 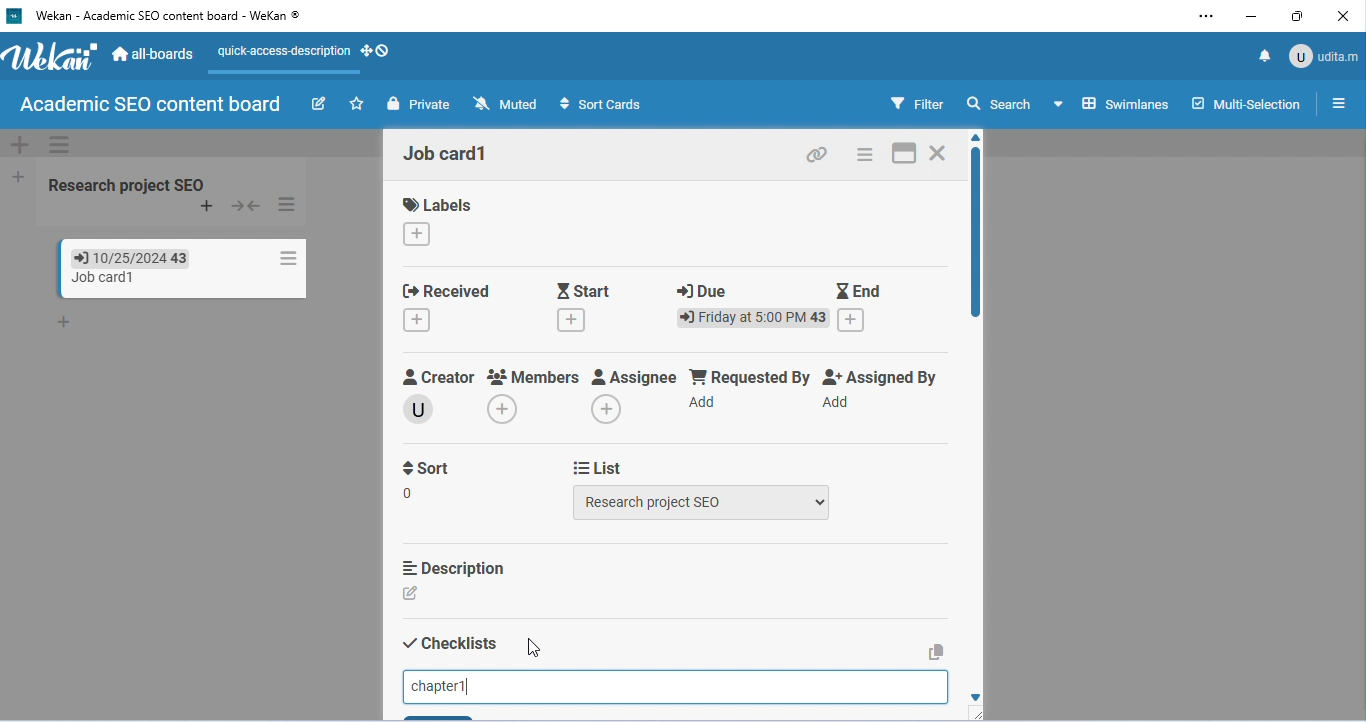 What do you see at coordinates (419, 235) in the screenshot?
I see `change the labels` at bounding box center [419, 235].